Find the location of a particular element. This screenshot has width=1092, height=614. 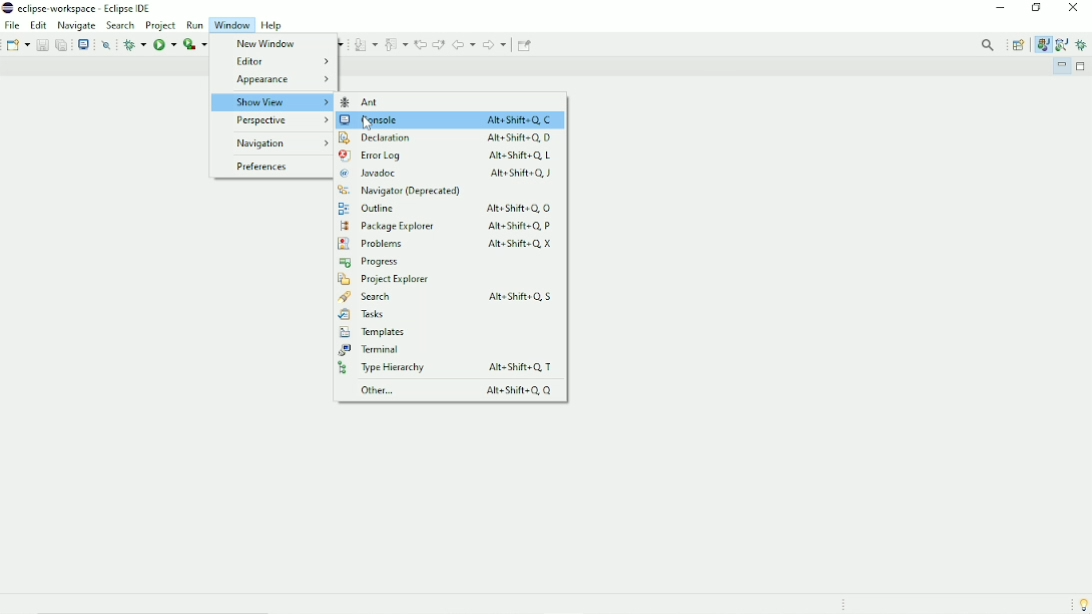

Navigation is located at coordinates (278, 143).